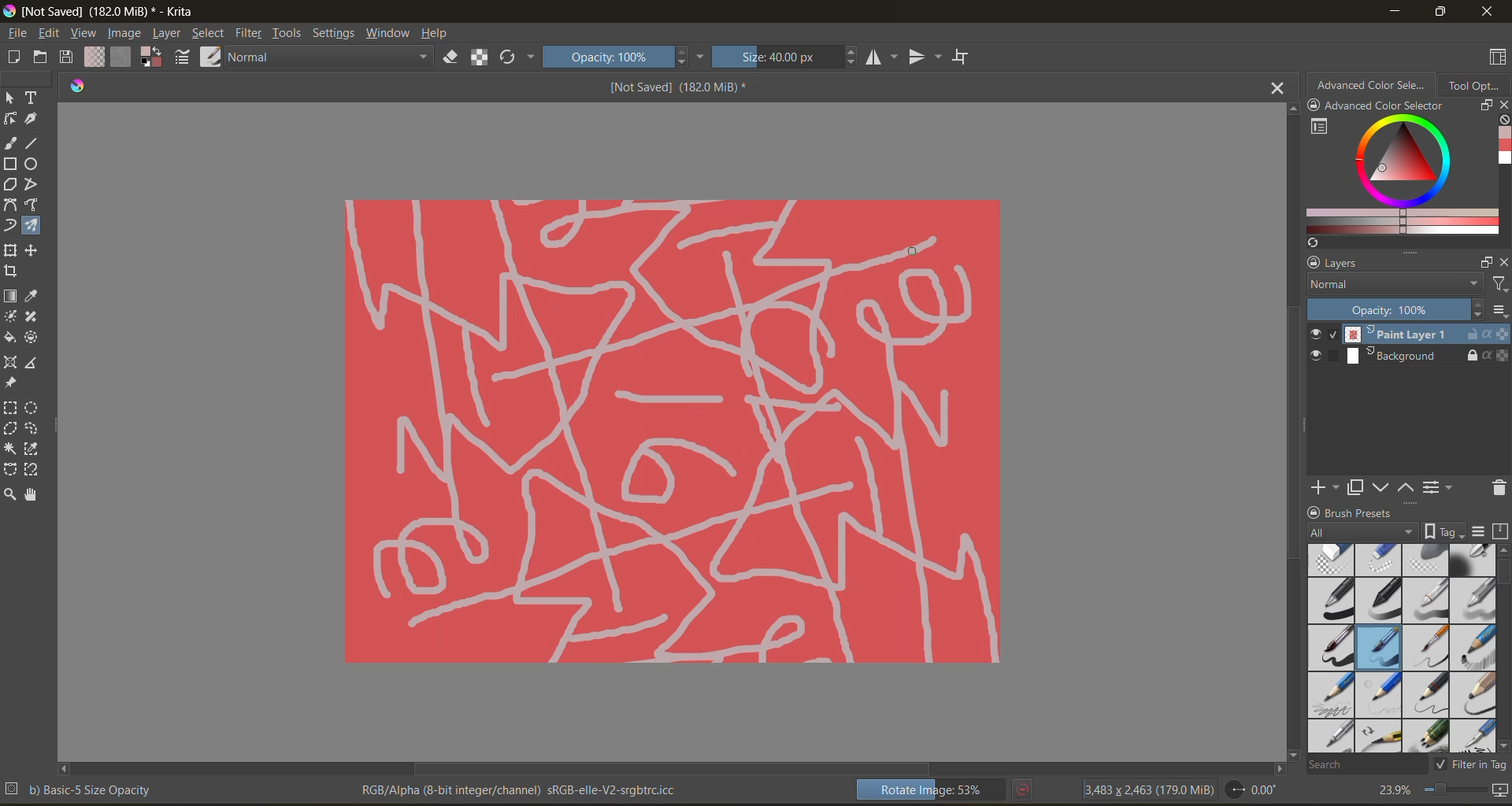  I want to click on lock docker, so click(1316, 512).